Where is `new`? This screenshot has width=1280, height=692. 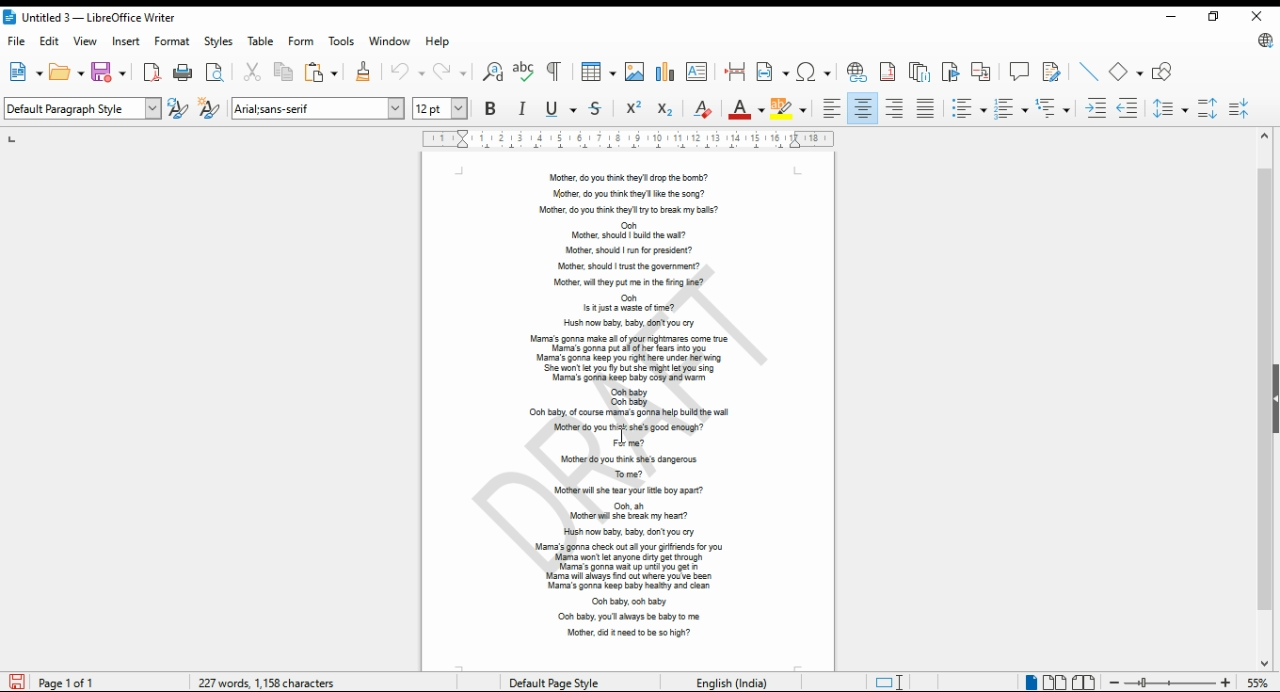 new is located at coordinates (24, 72).